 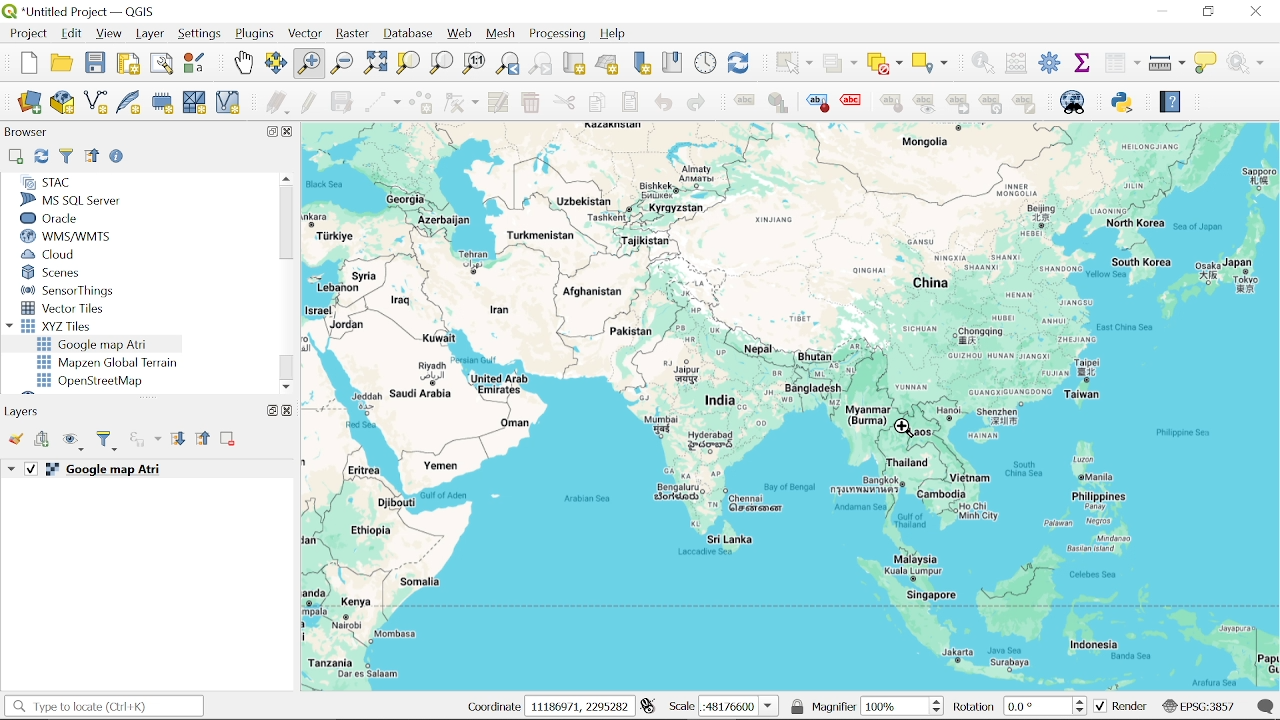 I want to click on Expand all, so click(x=178, y=440).